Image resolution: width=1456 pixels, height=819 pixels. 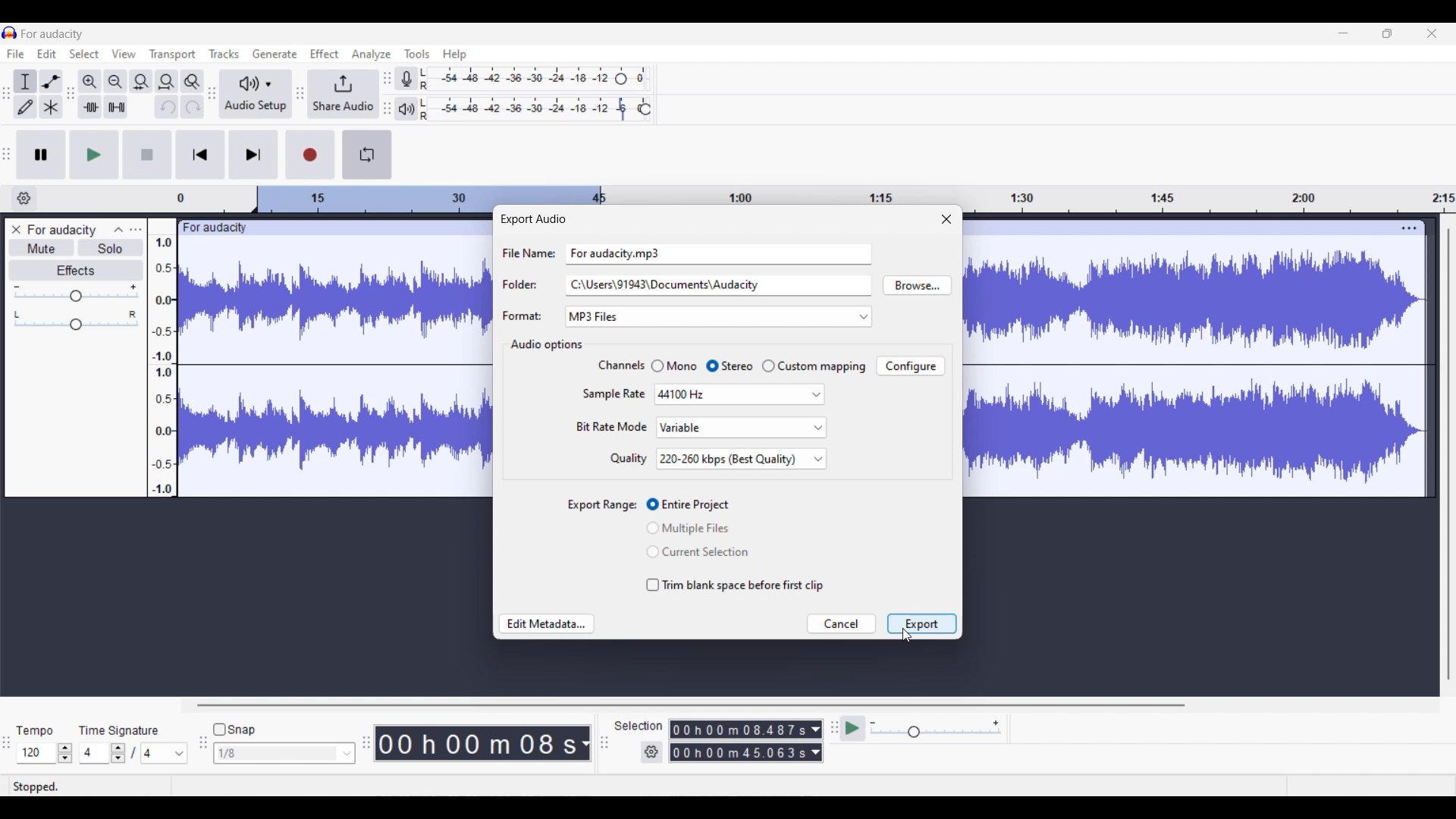 I want to click on Solo, so click(x=111, y=247).